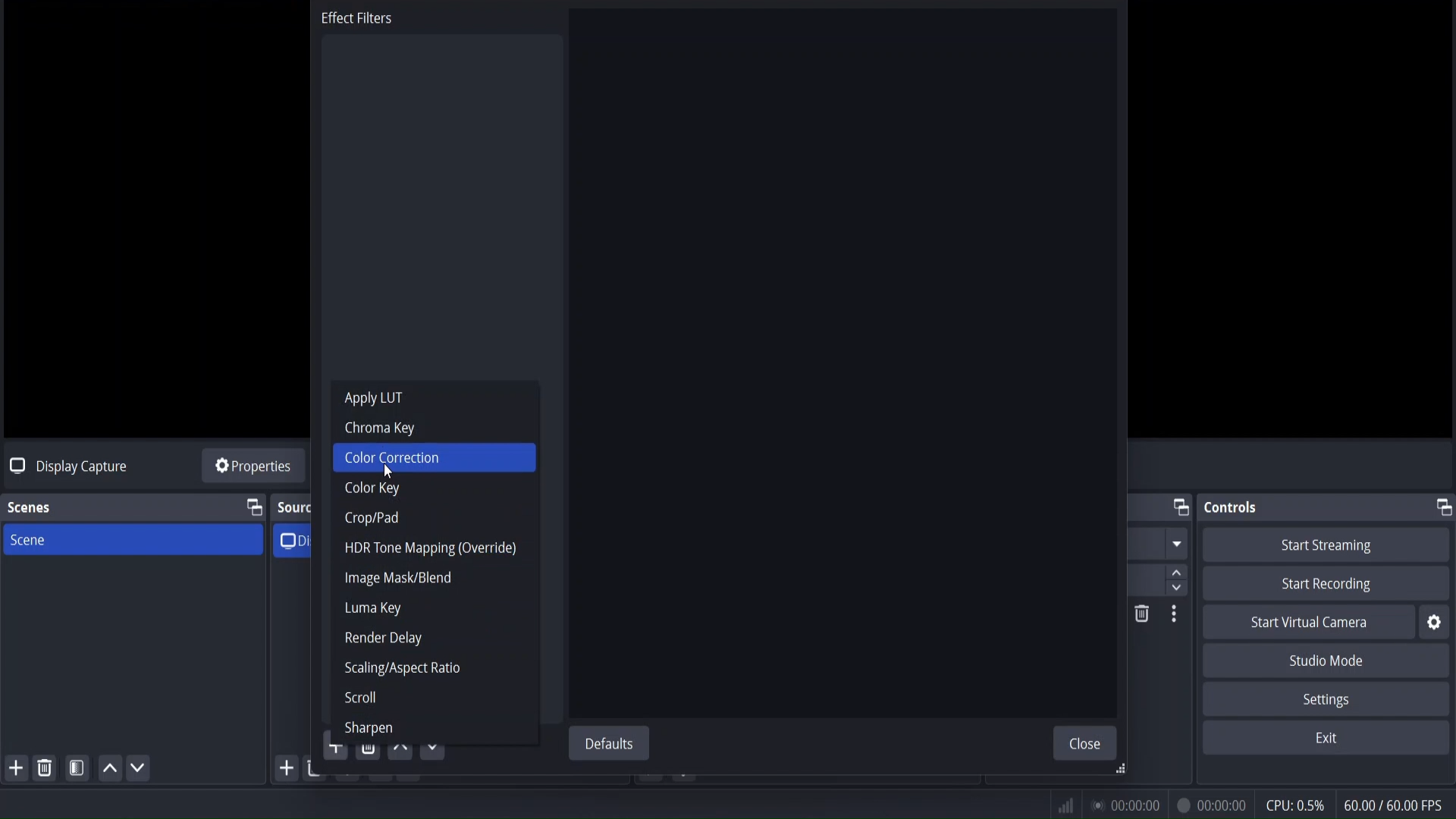  I want to click on exit, so click(1326, 739).